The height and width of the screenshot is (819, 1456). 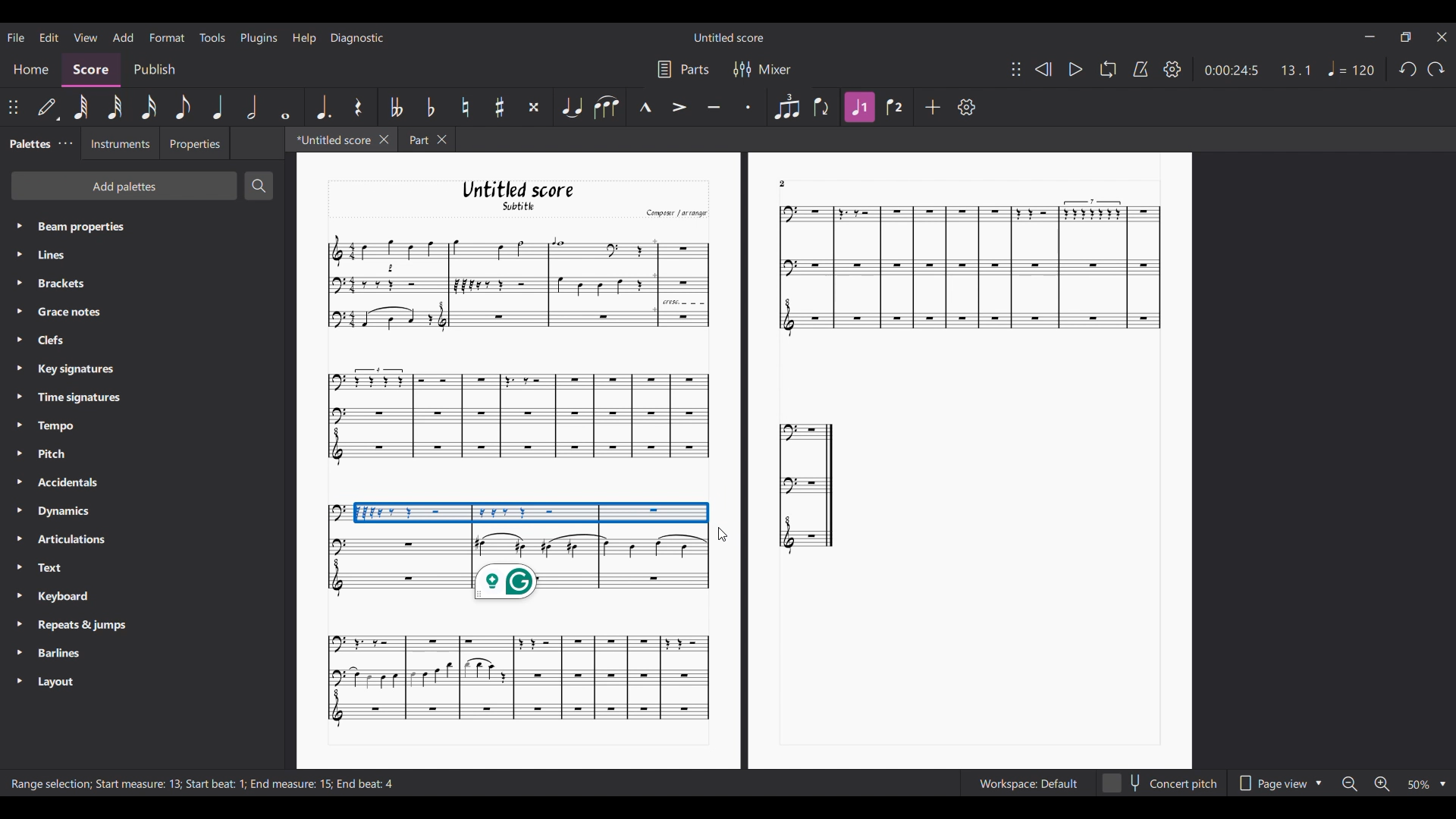 I want to click on Tab settings, so click(x=65, y=143).